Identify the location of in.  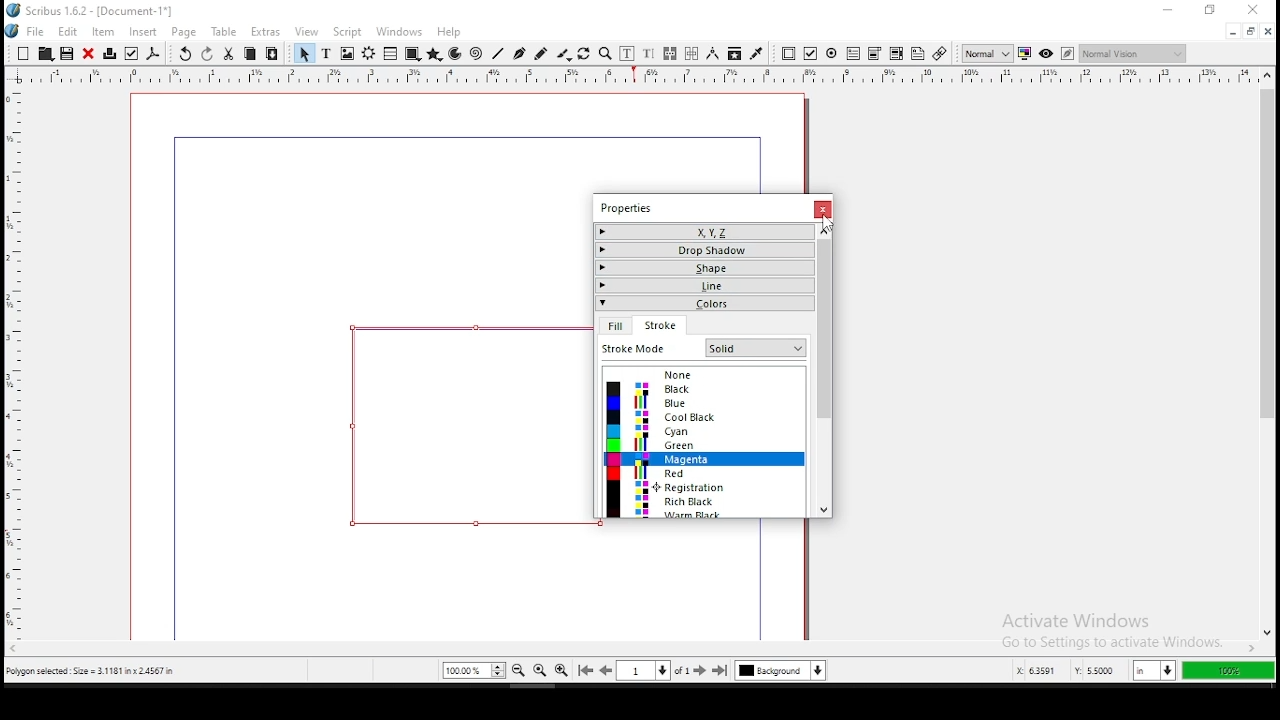
(1151, 671).